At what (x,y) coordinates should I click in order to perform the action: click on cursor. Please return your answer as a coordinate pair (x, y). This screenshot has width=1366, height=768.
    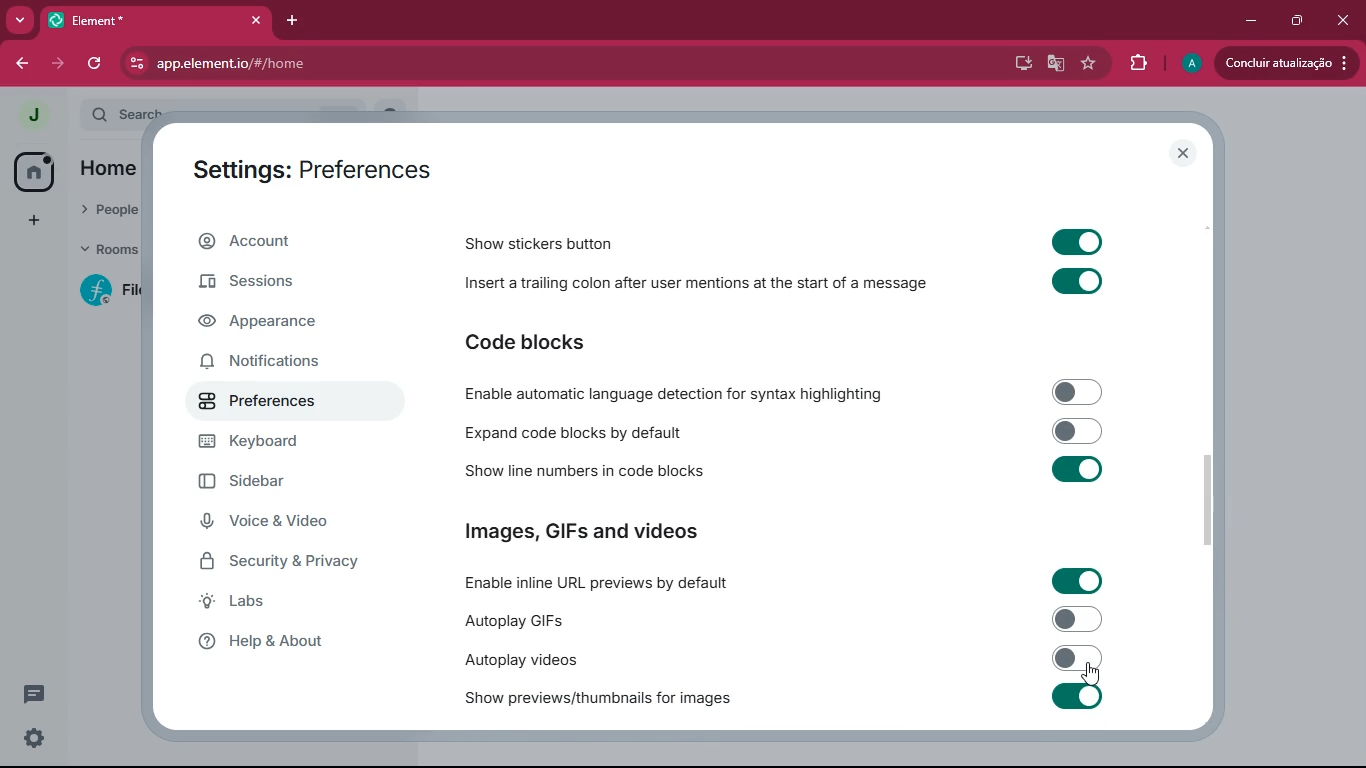
    Looking at the image, I should click on (1090, 675).